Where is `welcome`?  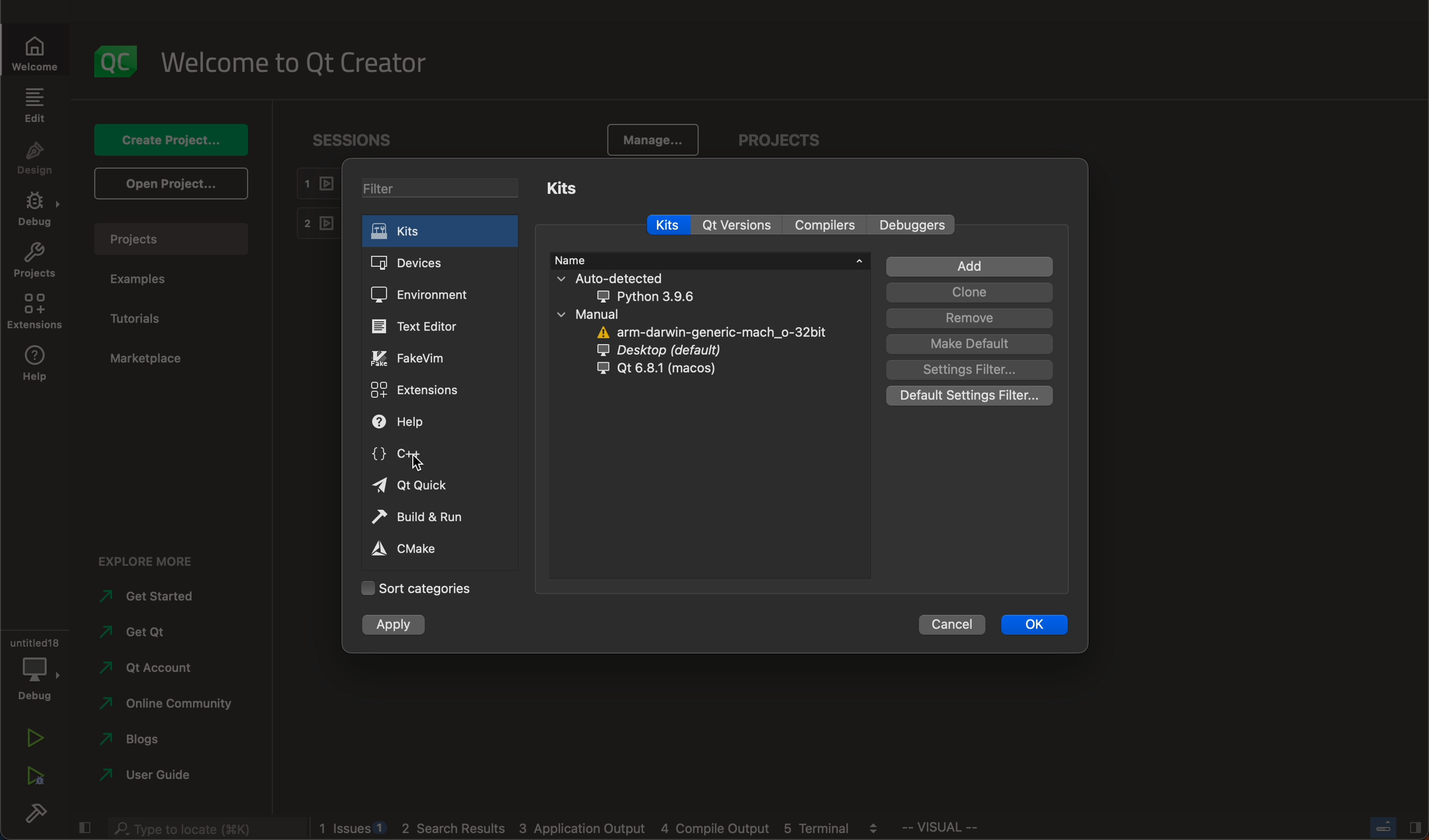
welcome is located at coordinates (41, 52).